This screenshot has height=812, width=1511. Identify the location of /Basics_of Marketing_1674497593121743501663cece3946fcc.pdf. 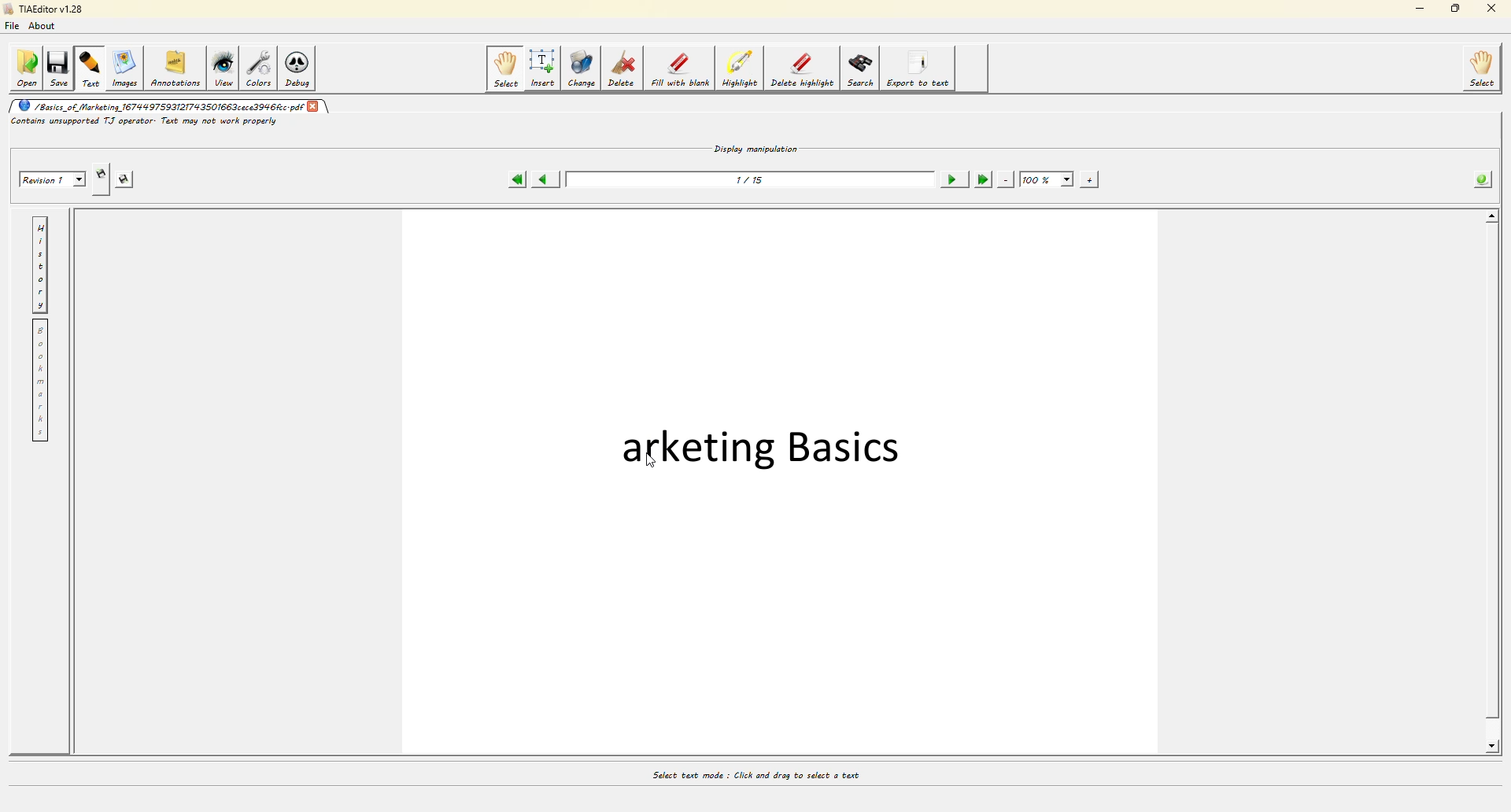
(161, 107).